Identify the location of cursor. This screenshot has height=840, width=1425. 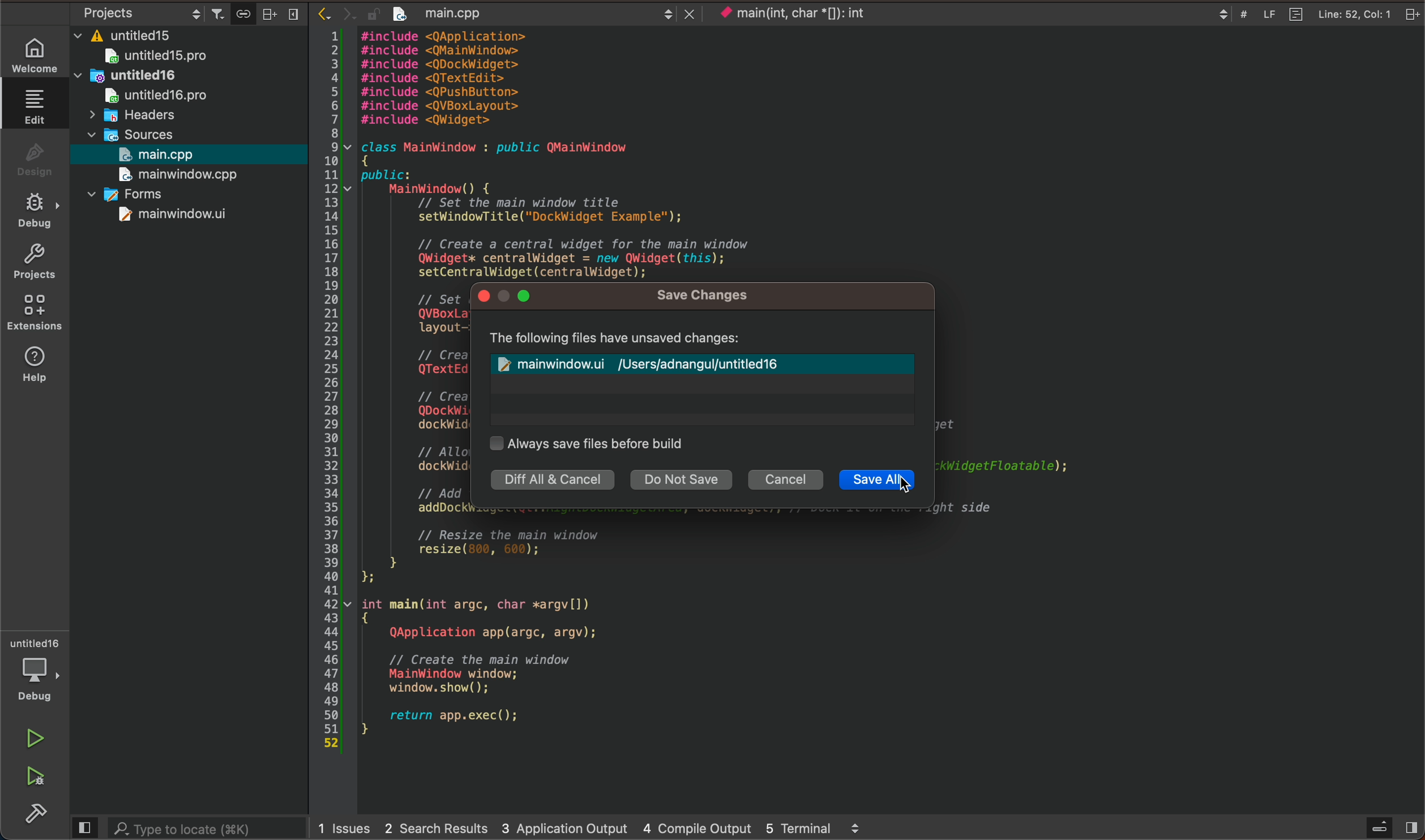
(908, 483).